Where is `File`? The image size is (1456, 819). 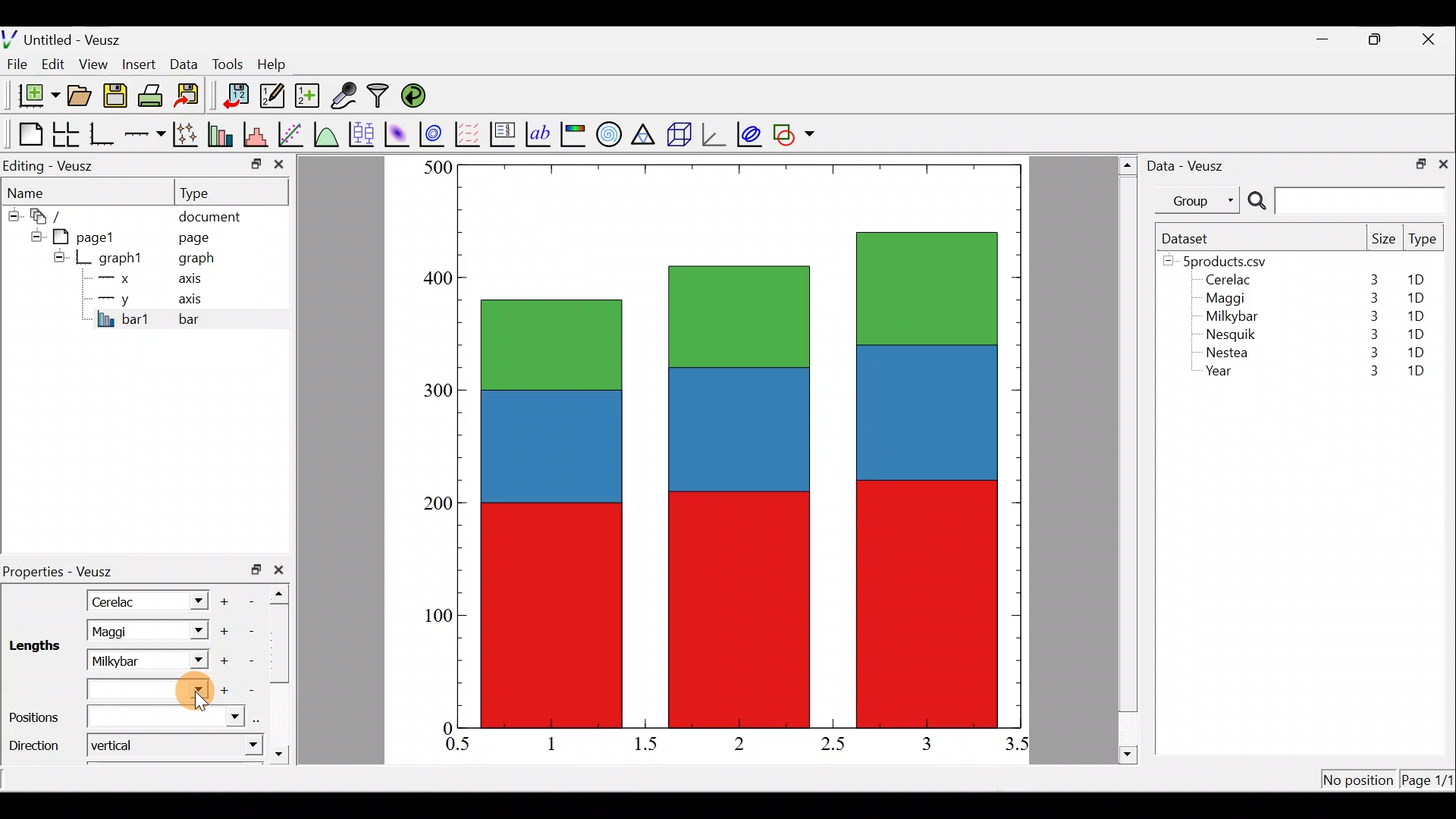
File is located at coordinates (14, 64).